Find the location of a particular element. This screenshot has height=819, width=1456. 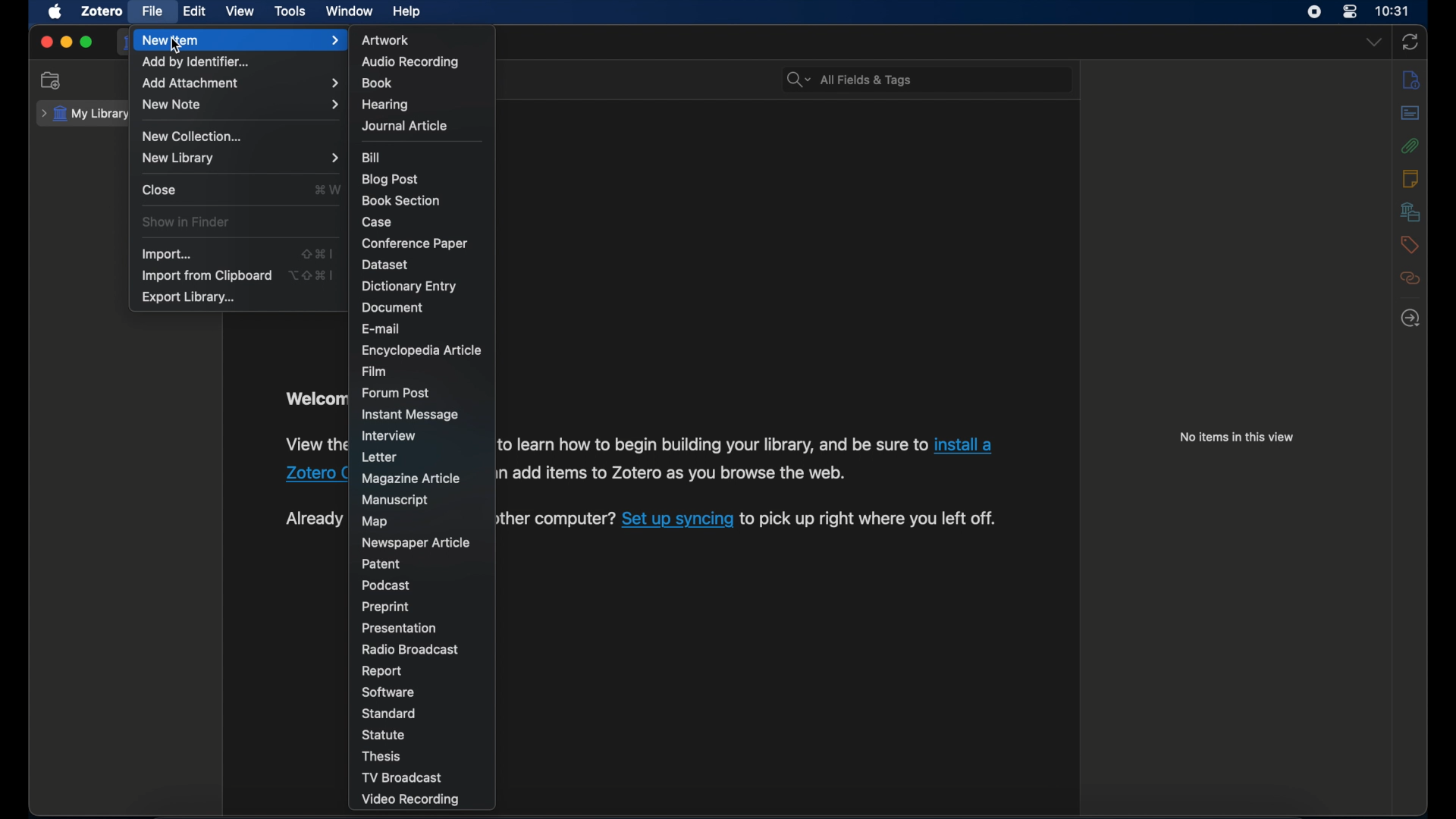

my library is located at coordinates (86, 114).